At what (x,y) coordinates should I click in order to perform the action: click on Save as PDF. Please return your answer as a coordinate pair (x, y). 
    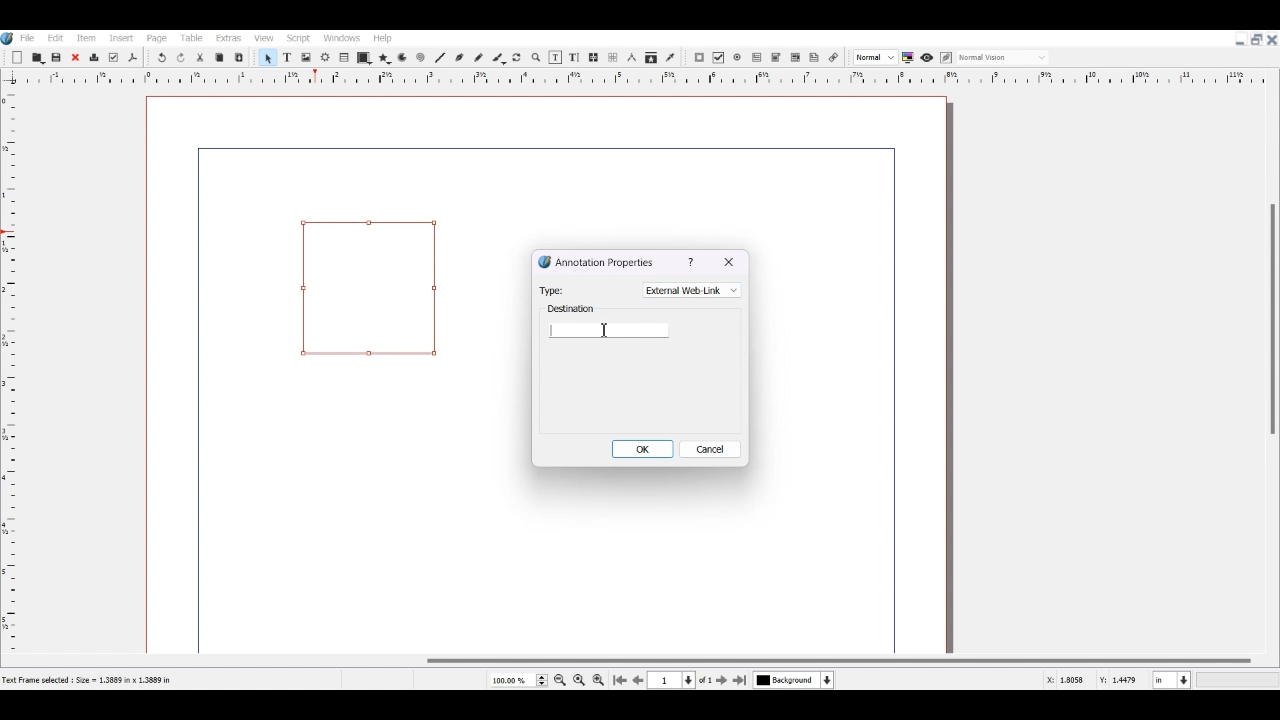
    Looking at the image, I should click on (133, 58).